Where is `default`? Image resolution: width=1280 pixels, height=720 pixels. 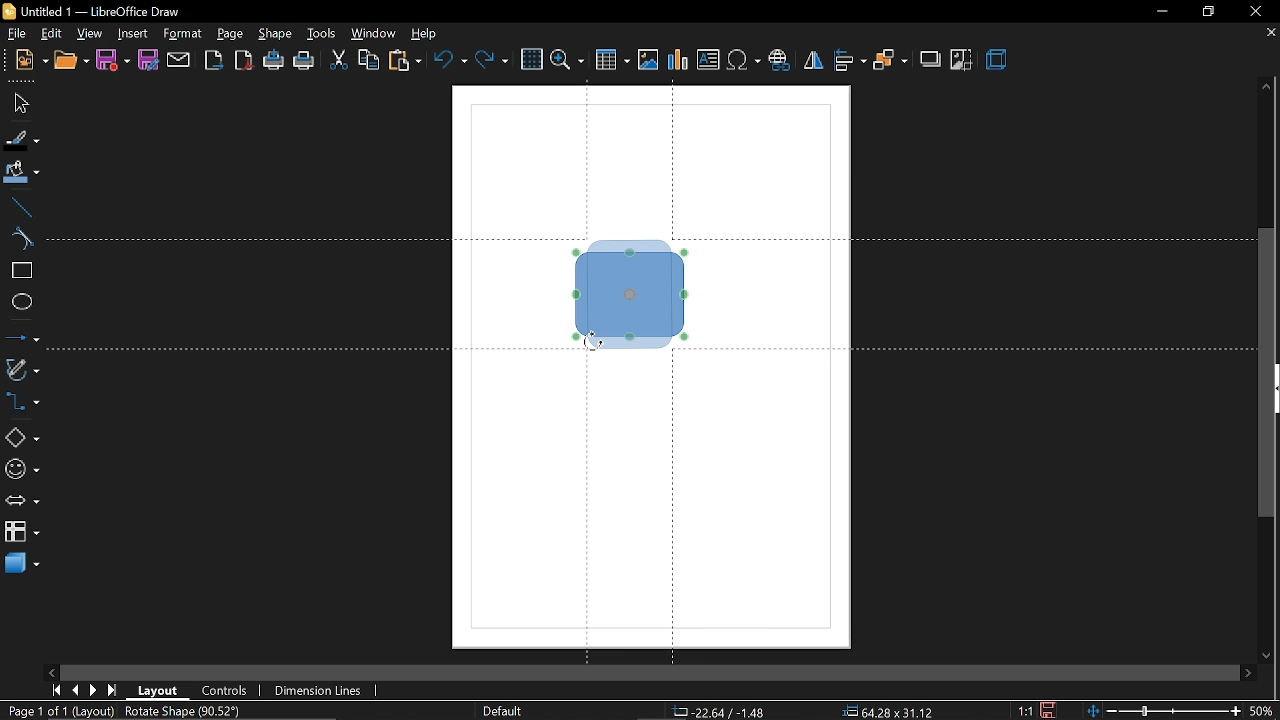 default is located at coordinates (503, 711).